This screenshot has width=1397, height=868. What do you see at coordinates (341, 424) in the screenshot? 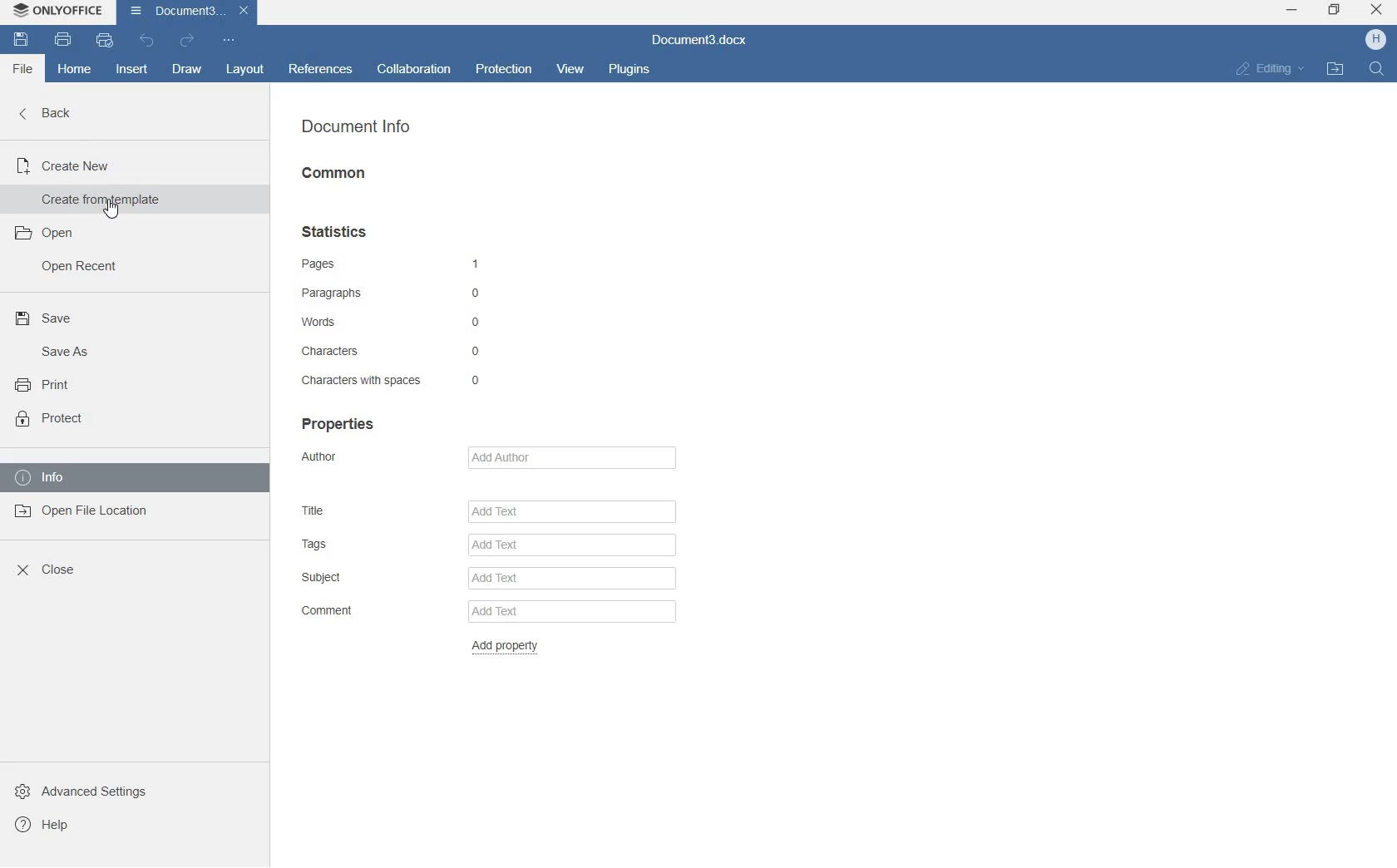
I see `properties` at bounding box center [341, 424].